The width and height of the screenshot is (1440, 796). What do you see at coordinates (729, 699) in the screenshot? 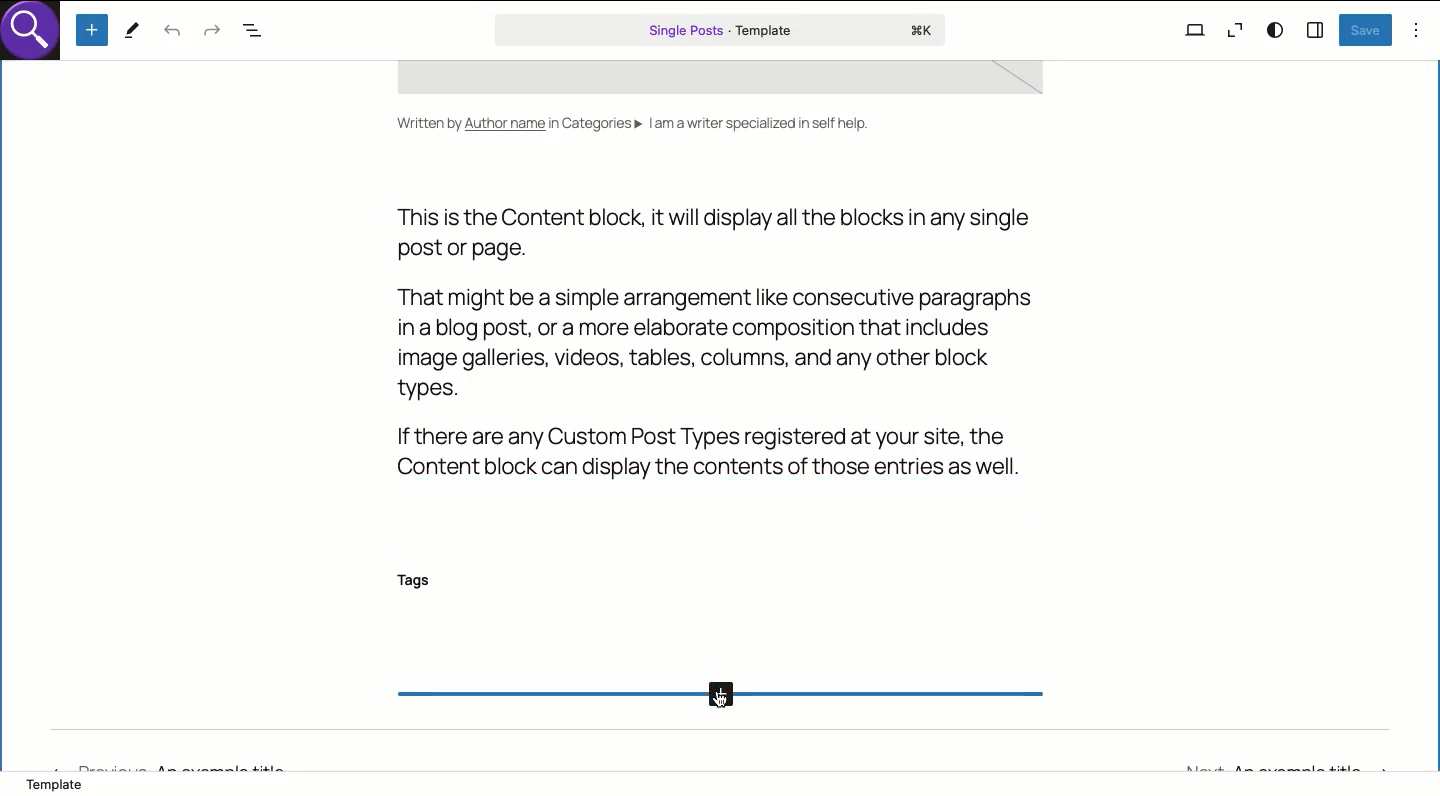
I see `cursor` at bounding box center [729, 699].